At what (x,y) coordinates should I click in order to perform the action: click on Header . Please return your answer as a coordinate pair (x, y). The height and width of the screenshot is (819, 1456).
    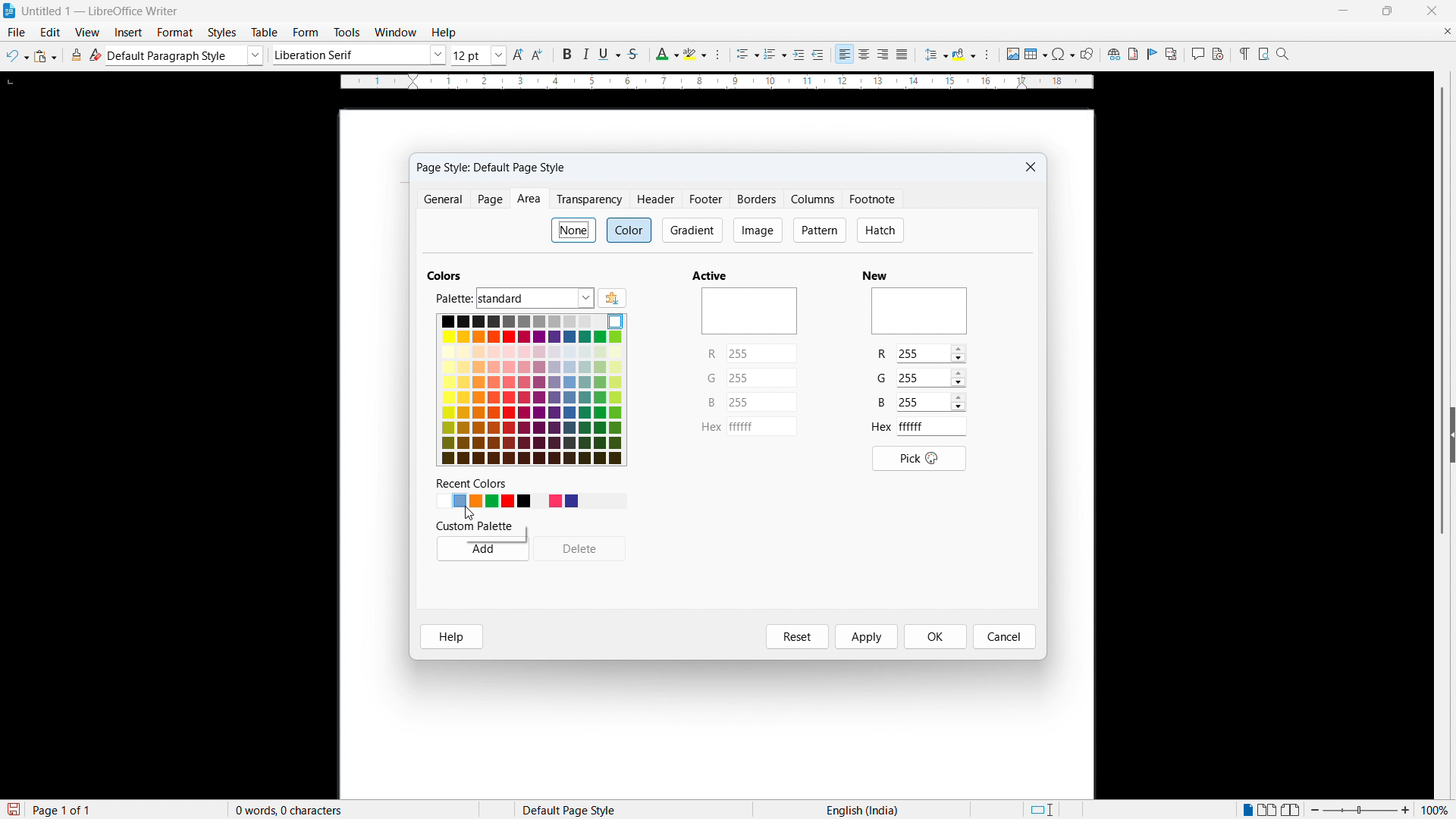
    Looking at the image, I should click on (658, 200).